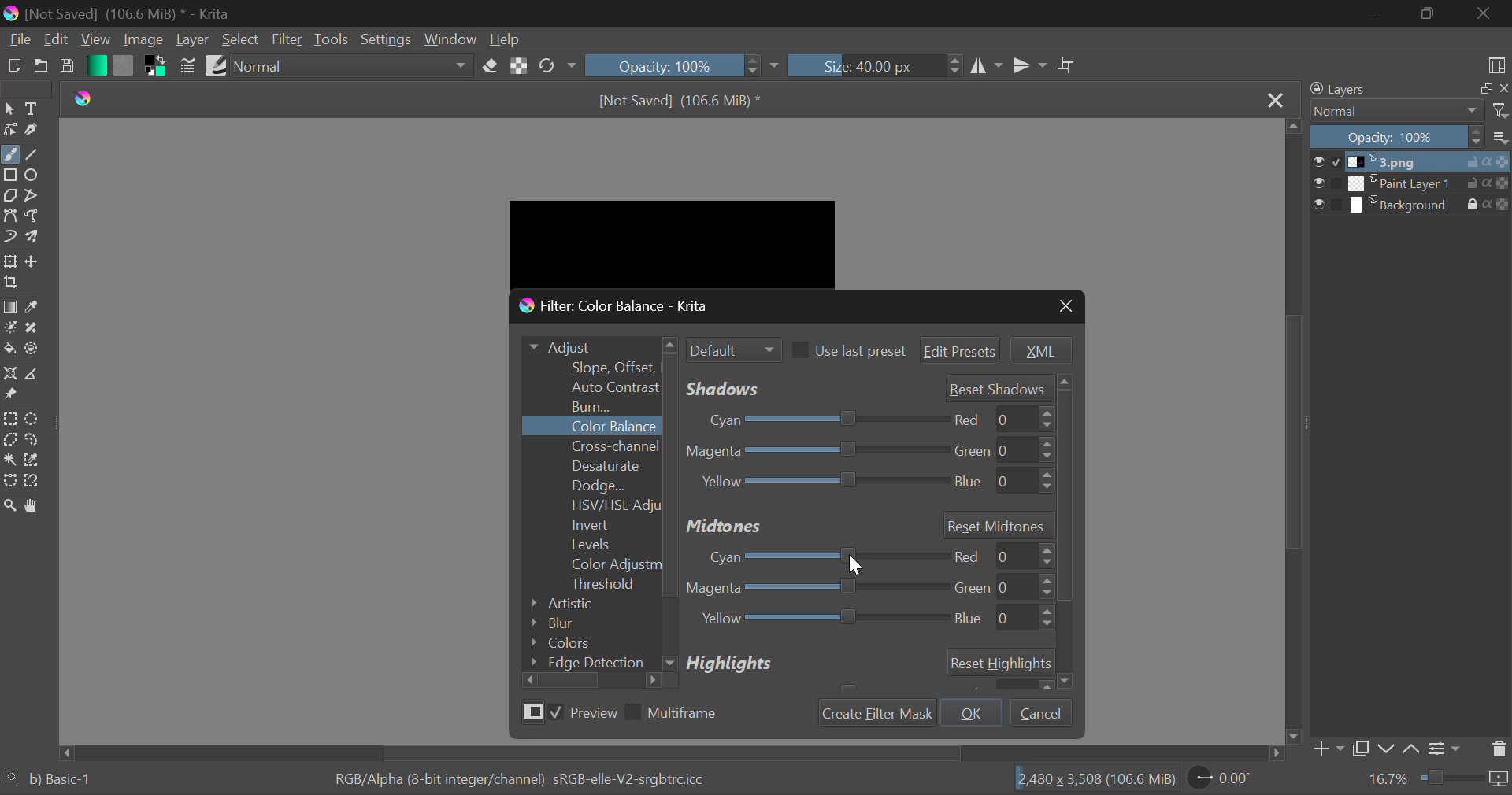 The image size is (1512, 795). What do you see at coordinates (1481, 90) in the screenshot?
I see `maximize` at bounding box center [1481, 90].